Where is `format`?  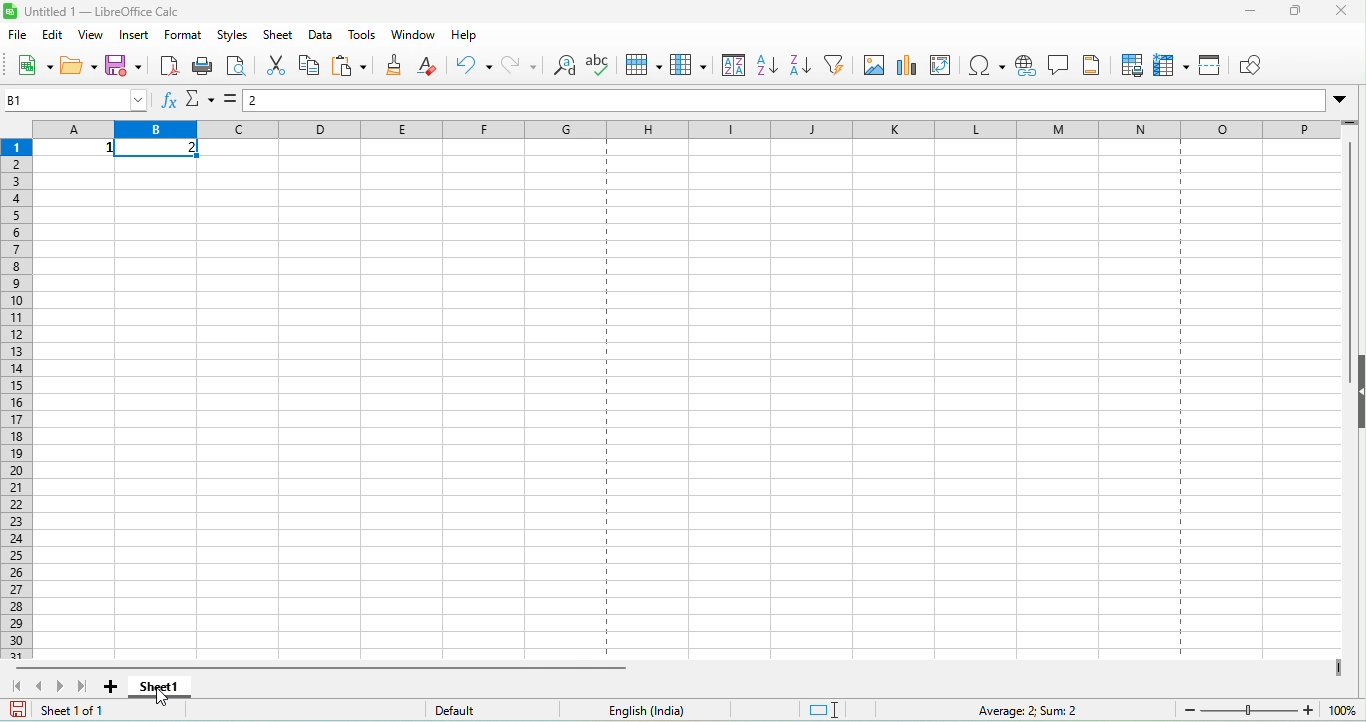
format is located at coordinates (185, 36).